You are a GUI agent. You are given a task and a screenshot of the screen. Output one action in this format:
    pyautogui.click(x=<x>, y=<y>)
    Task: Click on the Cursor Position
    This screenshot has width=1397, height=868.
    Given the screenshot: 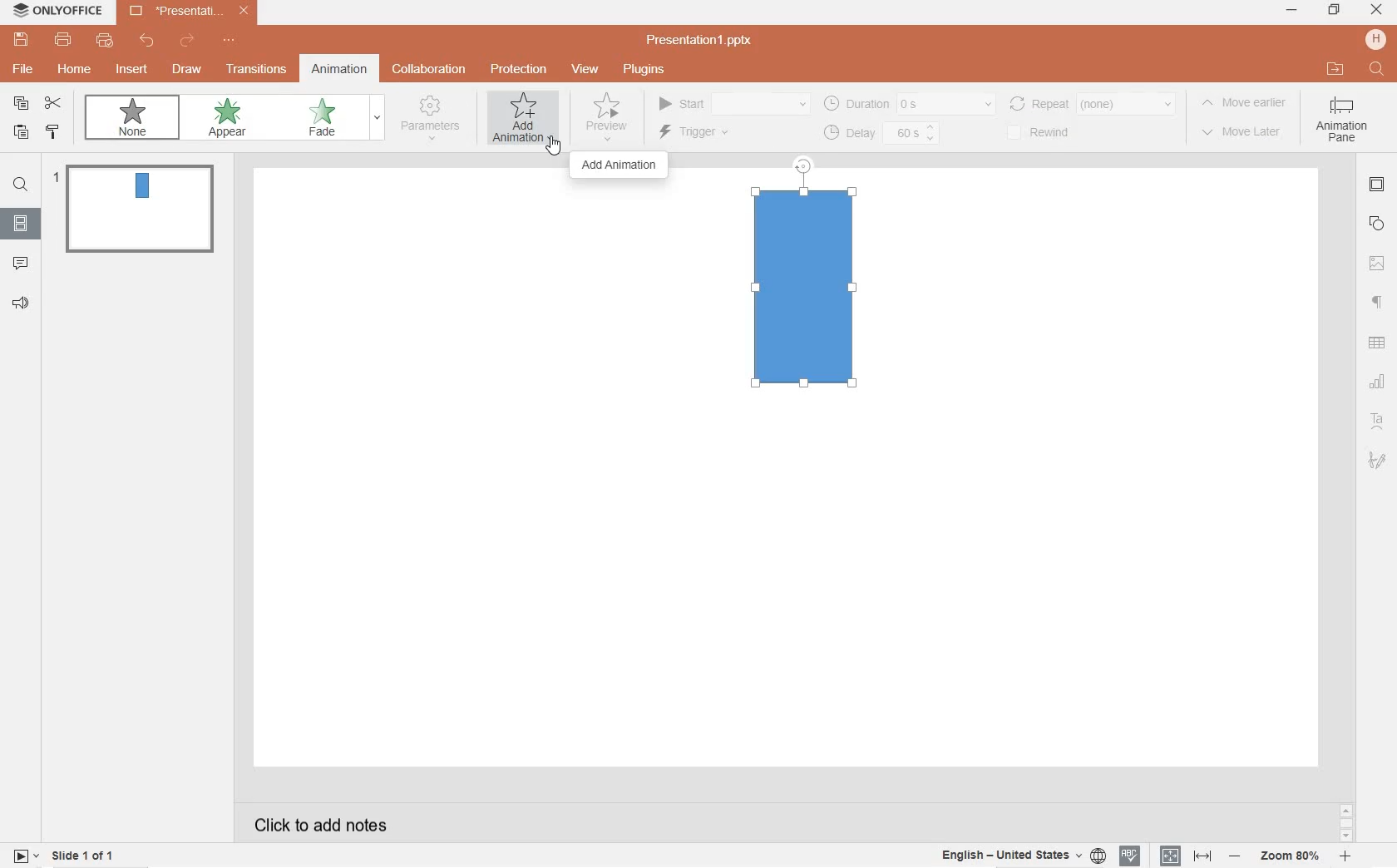 What is the action you would take?
    pyautogui.click(x=553, y=145)
    